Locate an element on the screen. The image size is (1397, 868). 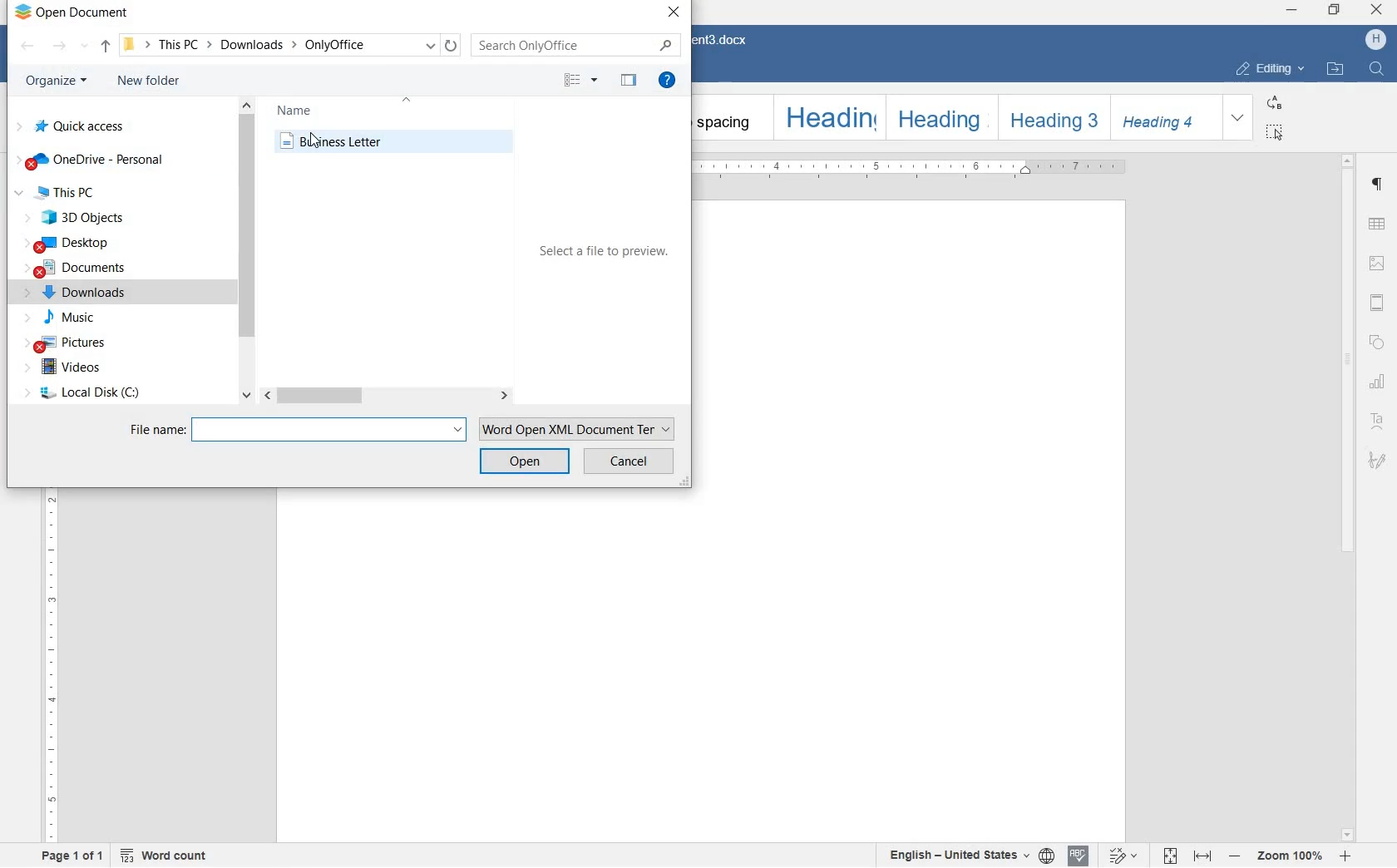
back is located at coordinates (29, 45).